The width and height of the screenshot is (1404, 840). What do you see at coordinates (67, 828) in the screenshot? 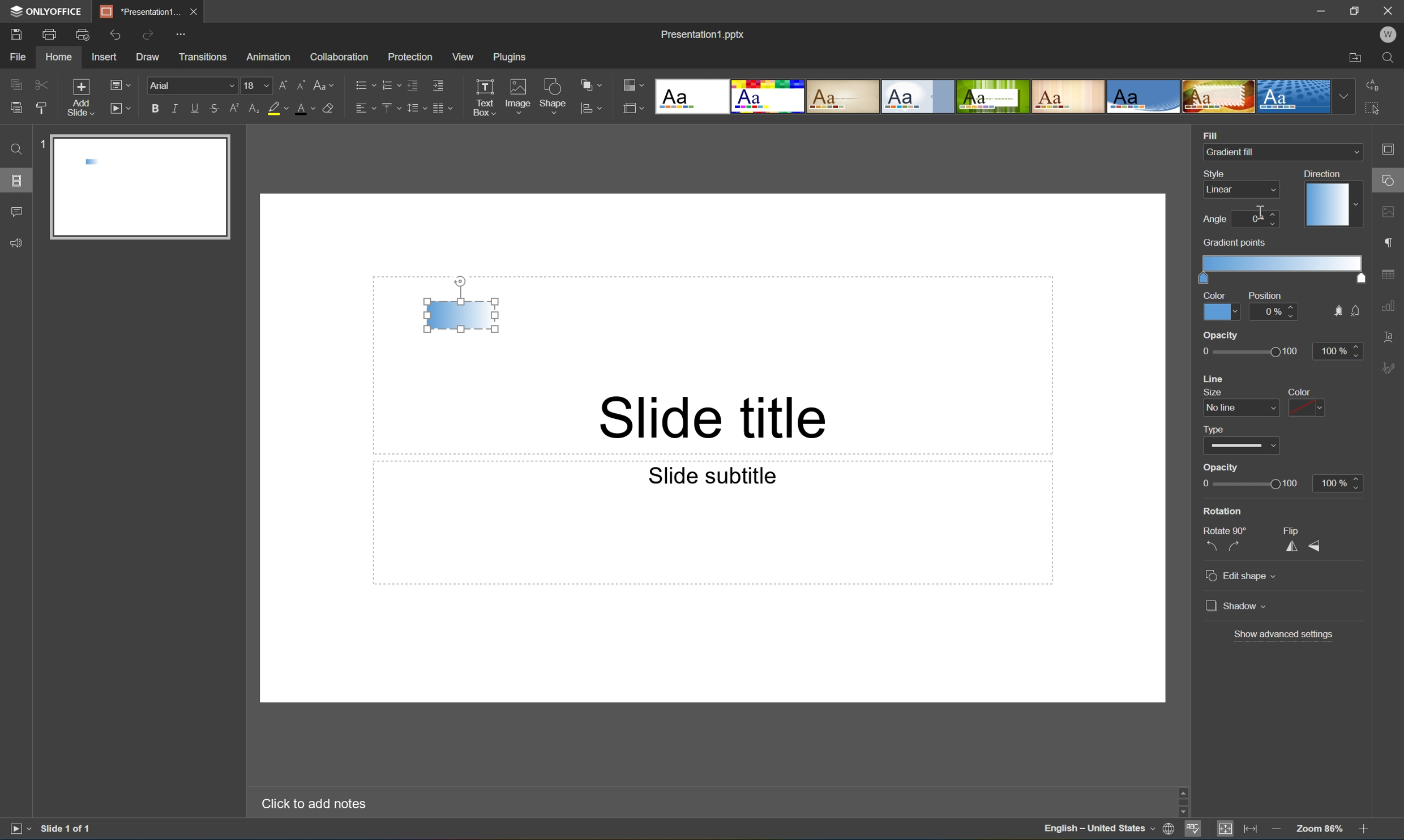
I see `Slide 1 of 1` at bounding box center [67, 828].